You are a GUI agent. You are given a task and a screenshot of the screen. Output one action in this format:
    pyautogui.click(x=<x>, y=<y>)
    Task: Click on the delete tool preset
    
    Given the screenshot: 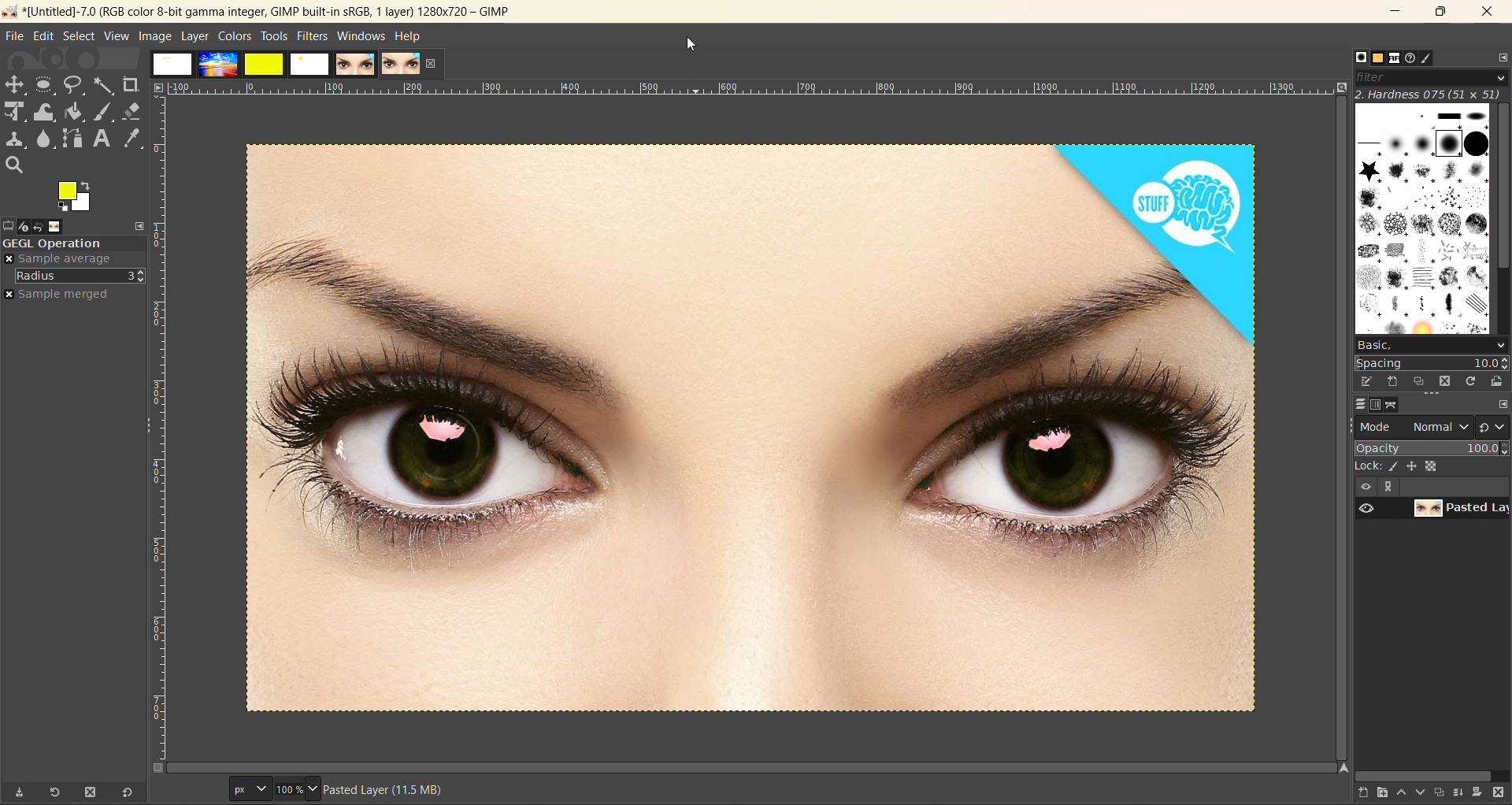 What is the action you would take?
    pyautogui.click(x=92, y=793)
    